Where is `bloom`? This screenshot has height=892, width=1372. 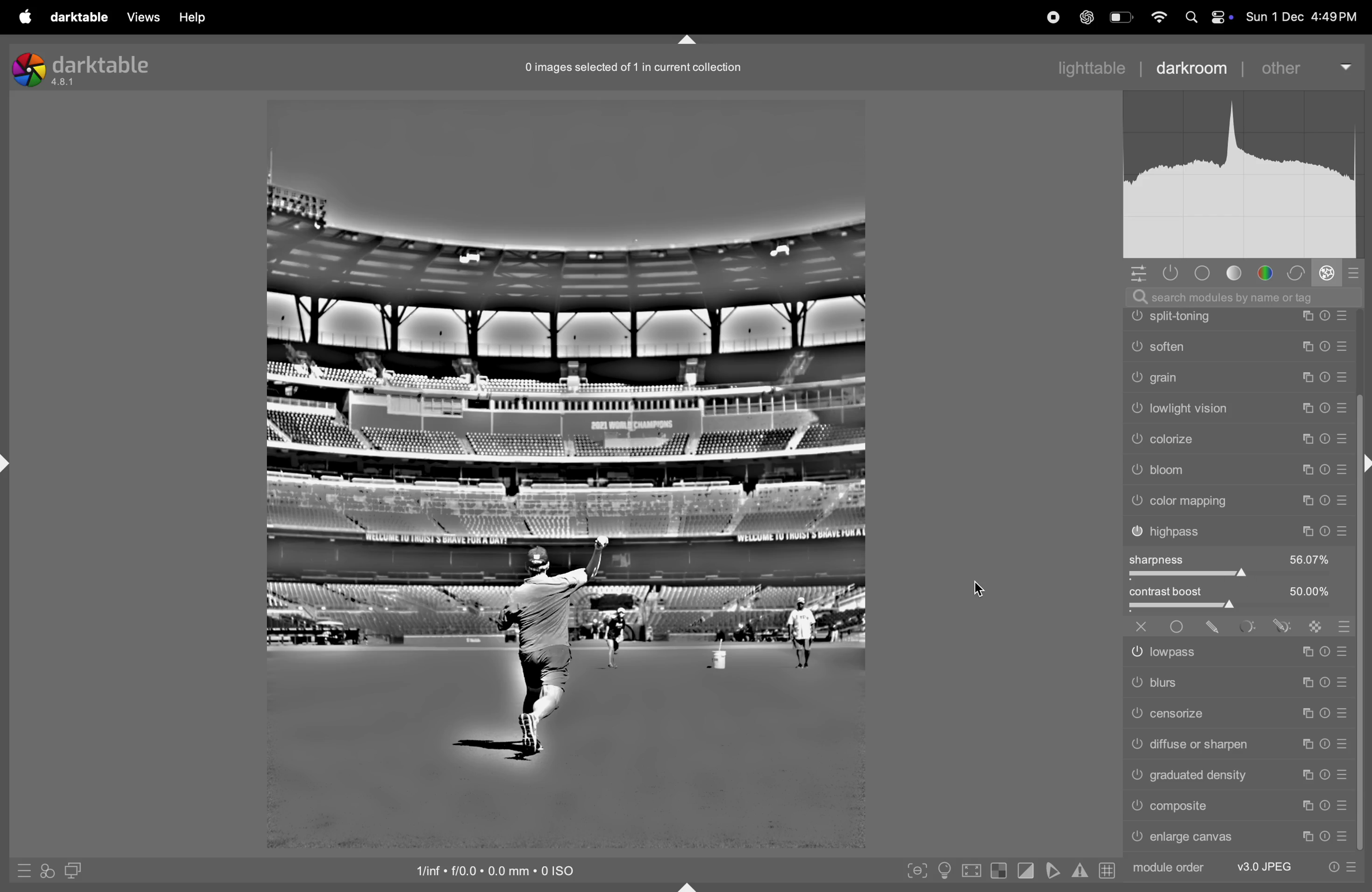 bloom is located at coordinates (1239, 561).